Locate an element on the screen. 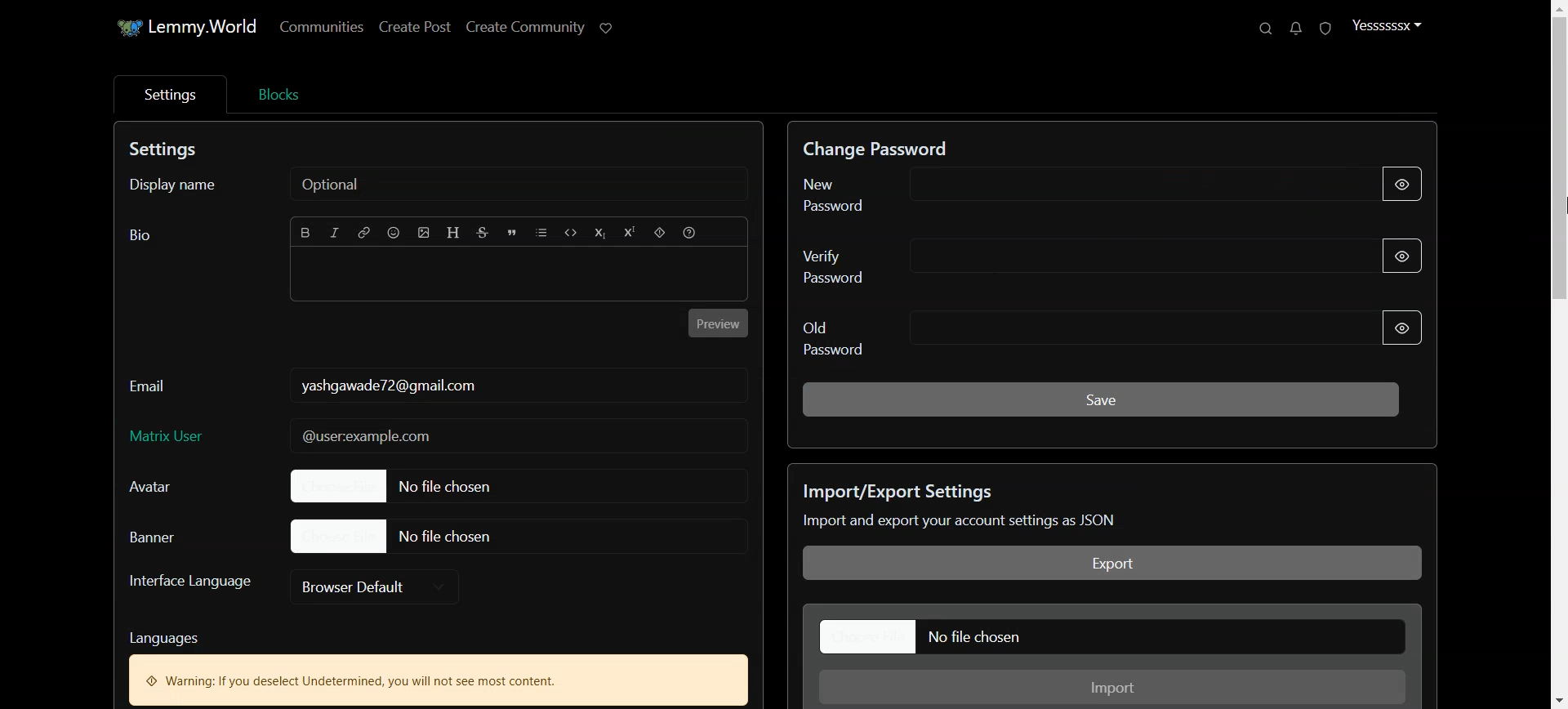 The width and height of the screenshot is (1568, 709). Text is located at coordinates (964, 507).